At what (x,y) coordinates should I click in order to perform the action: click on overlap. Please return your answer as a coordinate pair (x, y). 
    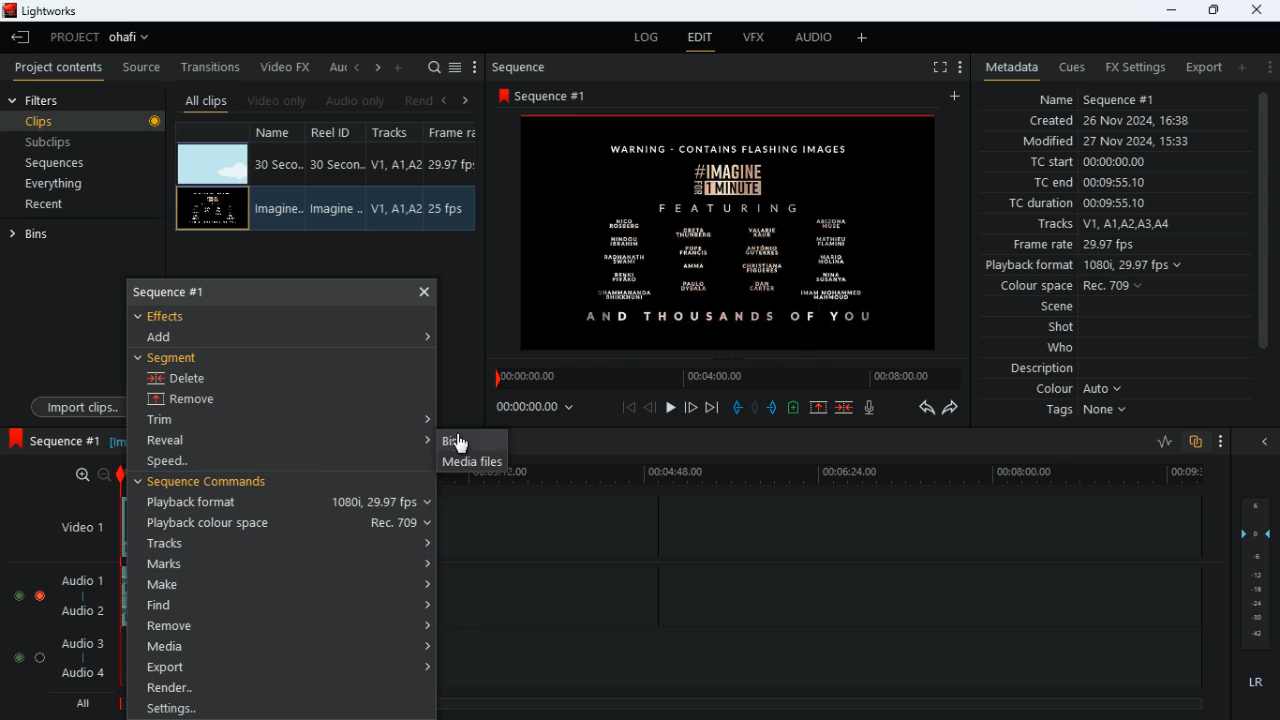
    Looking at the image, I should click on (1193, 442).